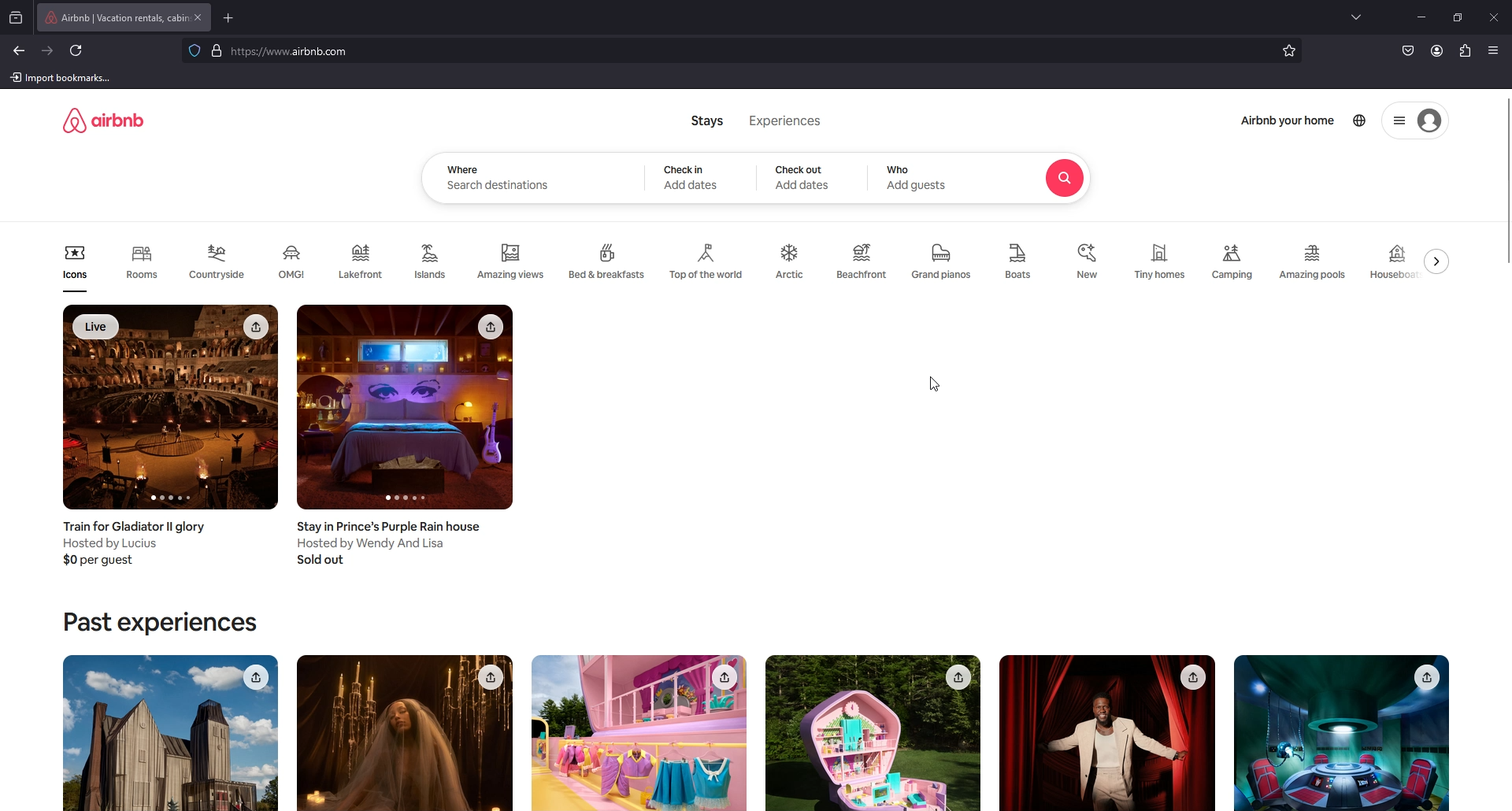 Image resolution: width=1512 pixels, height=811 pixels. I want to click on list all tabs, so click(1359, 16).